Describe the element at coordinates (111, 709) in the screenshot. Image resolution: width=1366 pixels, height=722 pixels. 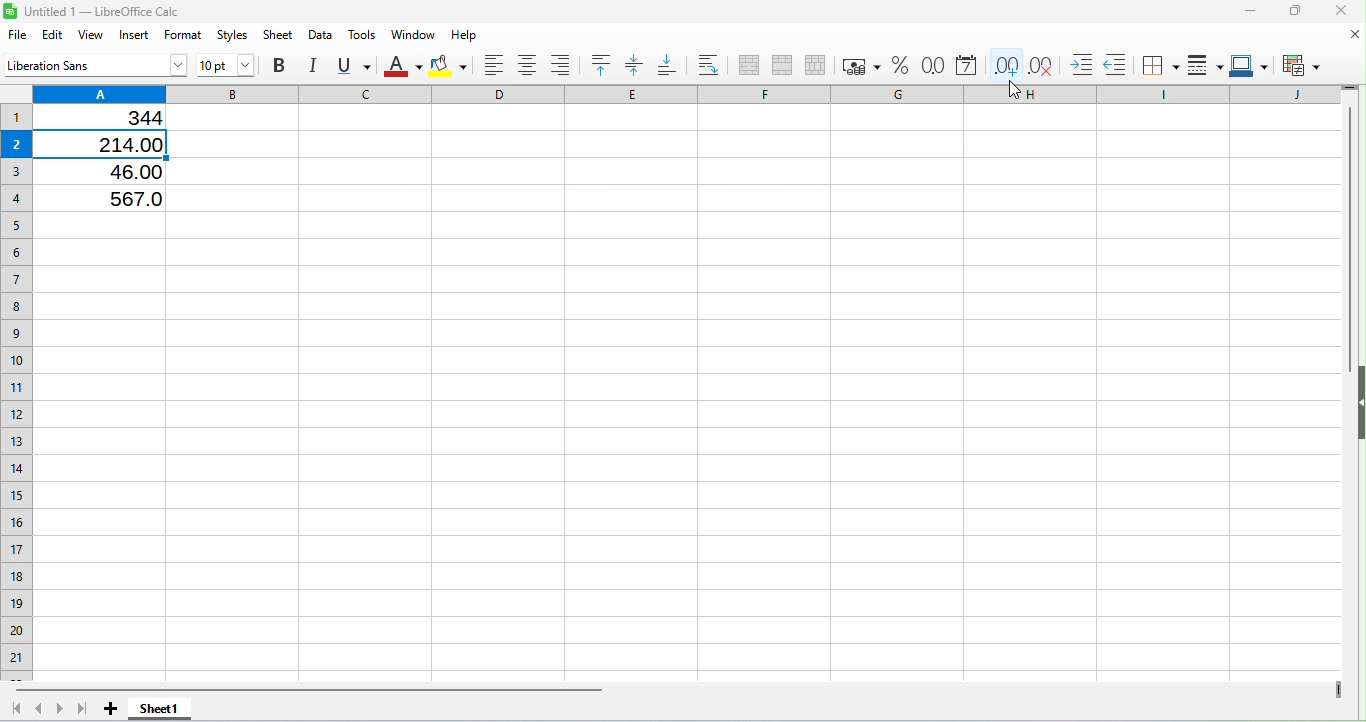
I see `Add new sheet` at that location.